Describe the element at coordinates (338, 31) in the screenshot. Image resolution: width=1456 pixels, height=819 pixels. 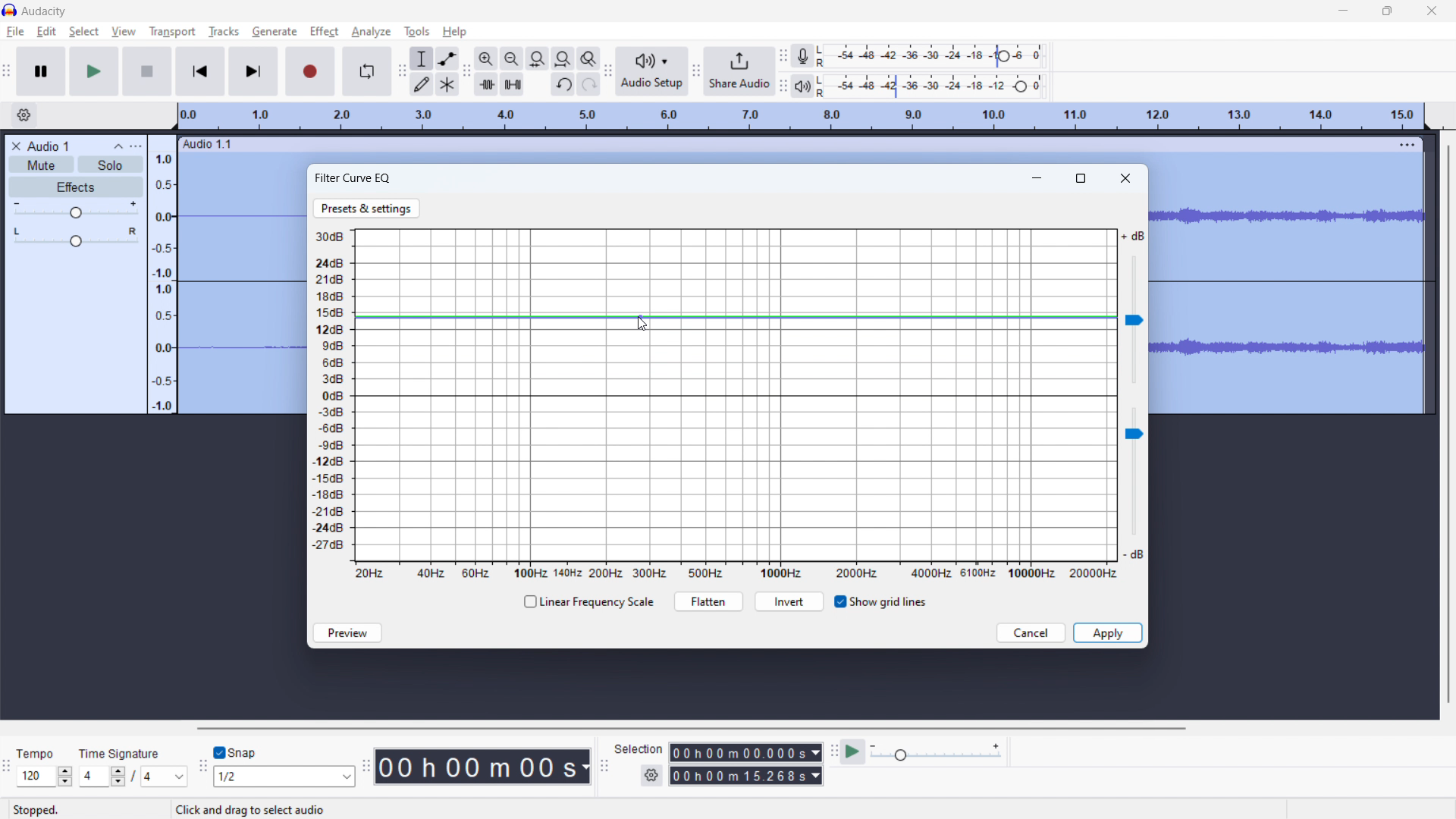
I see `cursor` at that location.